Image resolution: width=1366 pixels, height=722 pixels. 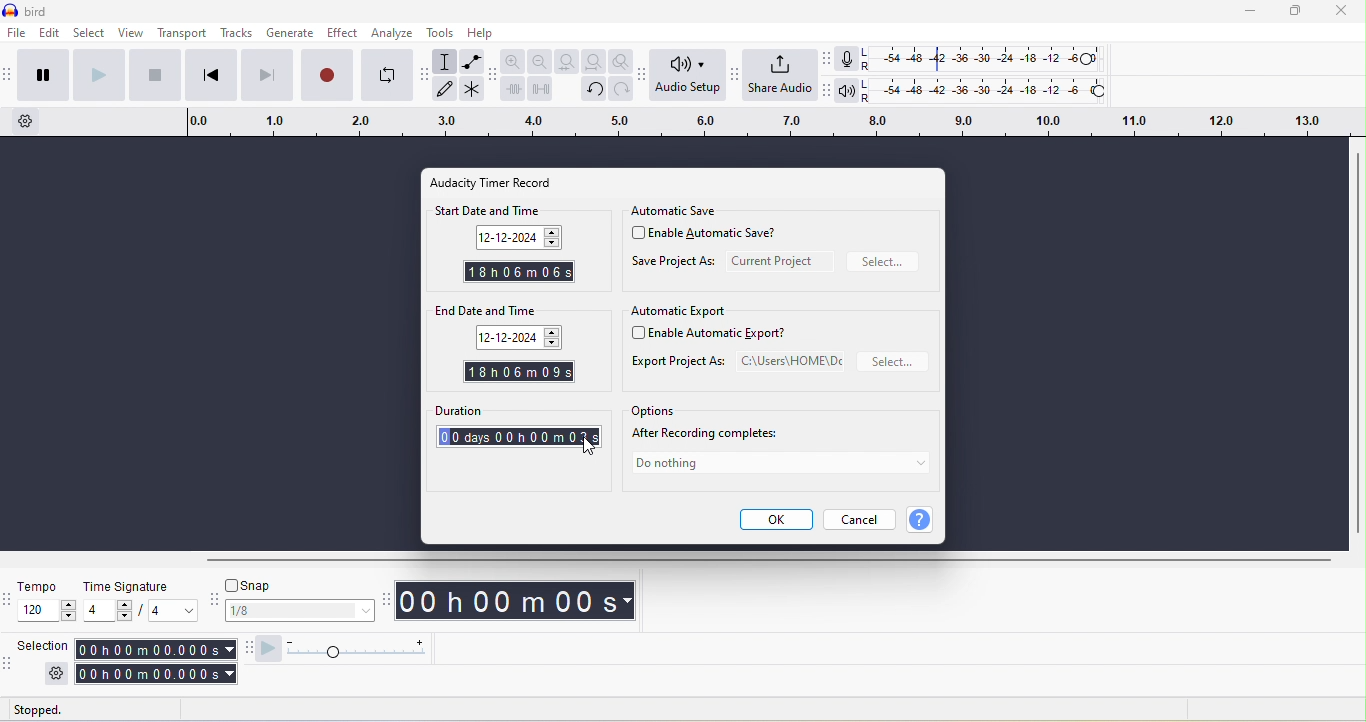 What do you see at coordinates (494, 78) in the screenshot?
I see `audacity edit toolbar` at bounding box center [494, 78].